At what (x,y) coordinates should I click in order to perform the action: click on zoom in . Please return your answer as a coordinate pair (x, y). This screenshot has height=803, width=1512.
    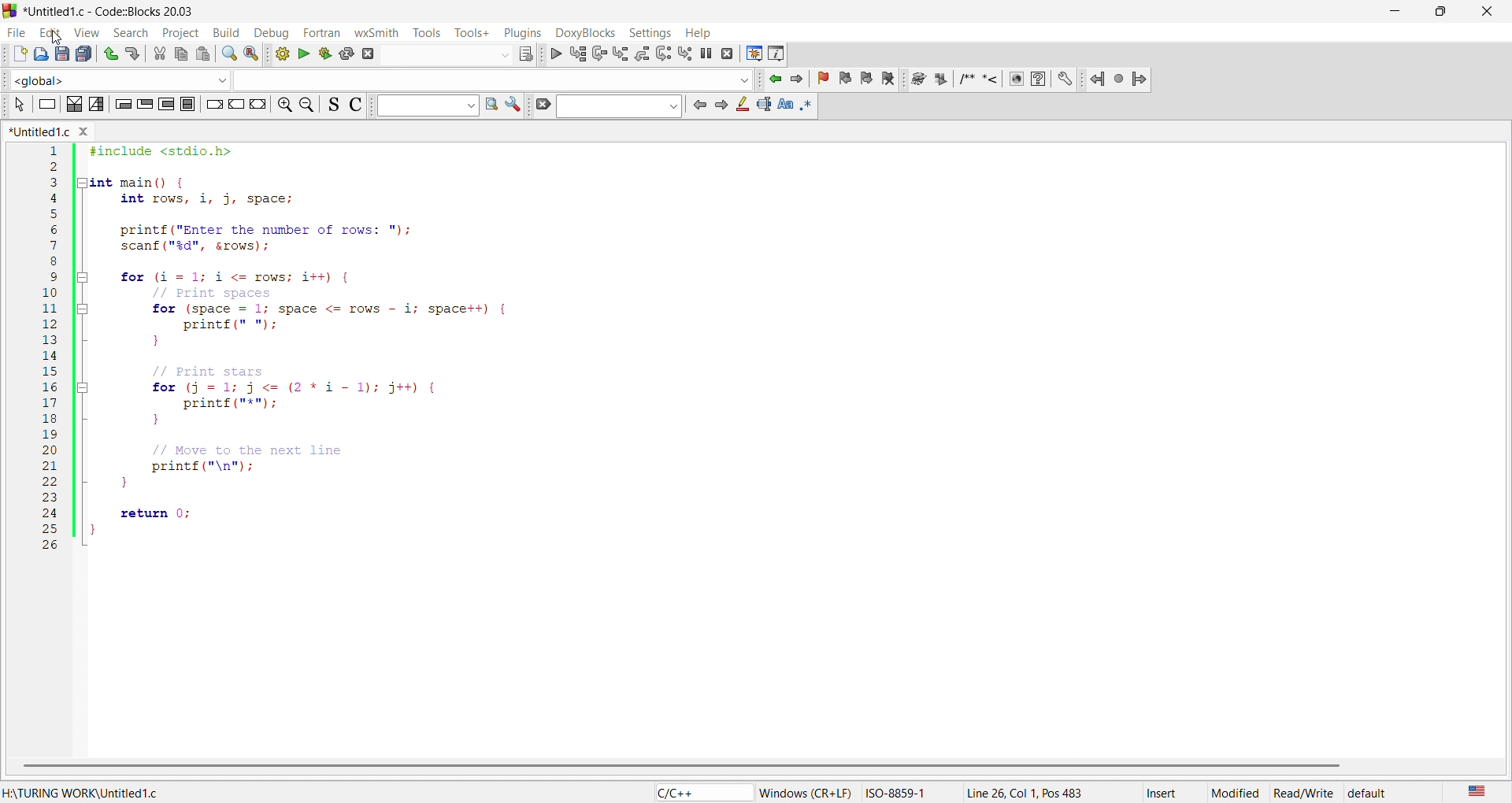
    Looking at the image, I should click on (282, 105).